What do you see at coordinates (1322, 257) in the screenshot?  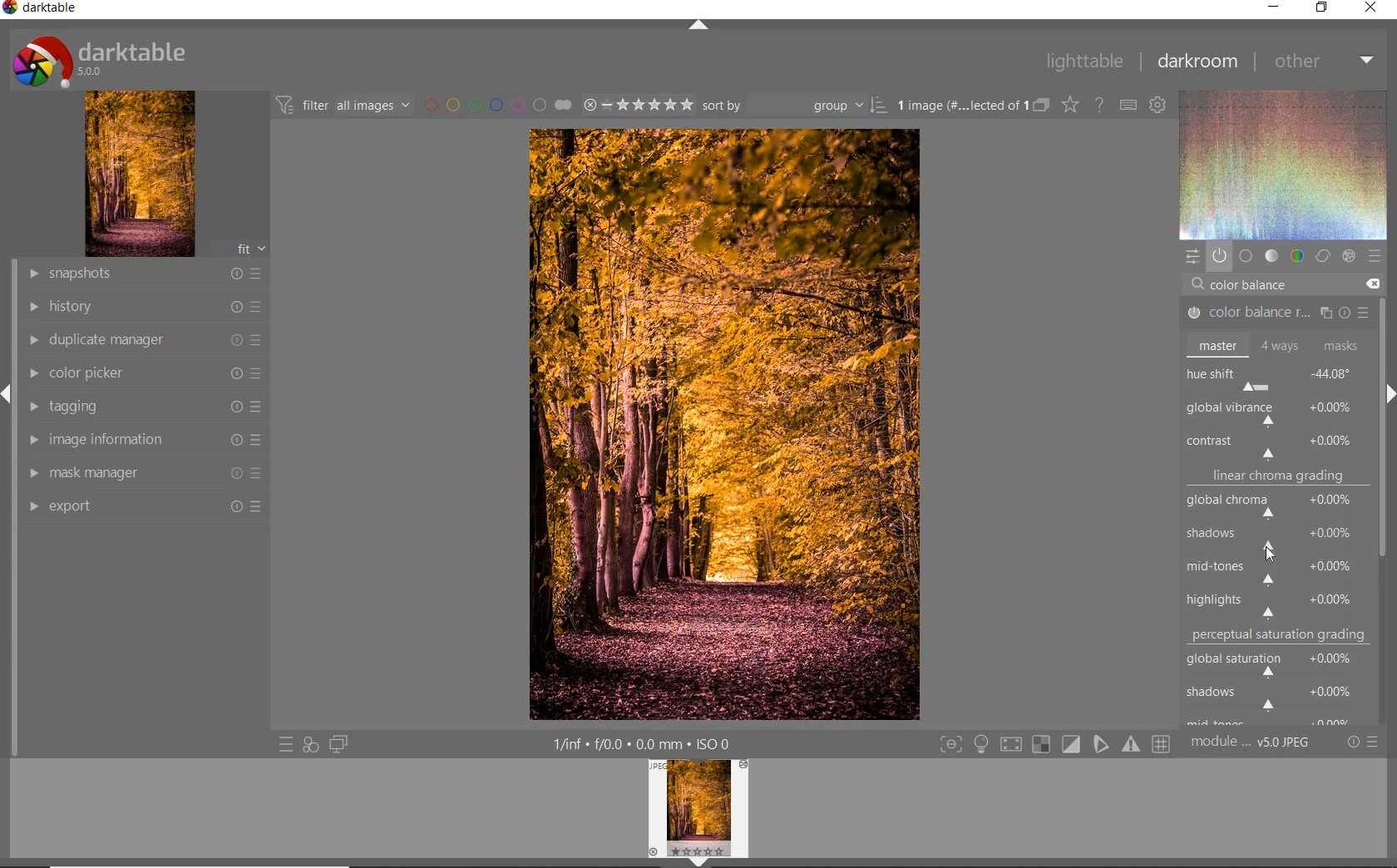 I see `correct` at bounding box center [1322, 257].